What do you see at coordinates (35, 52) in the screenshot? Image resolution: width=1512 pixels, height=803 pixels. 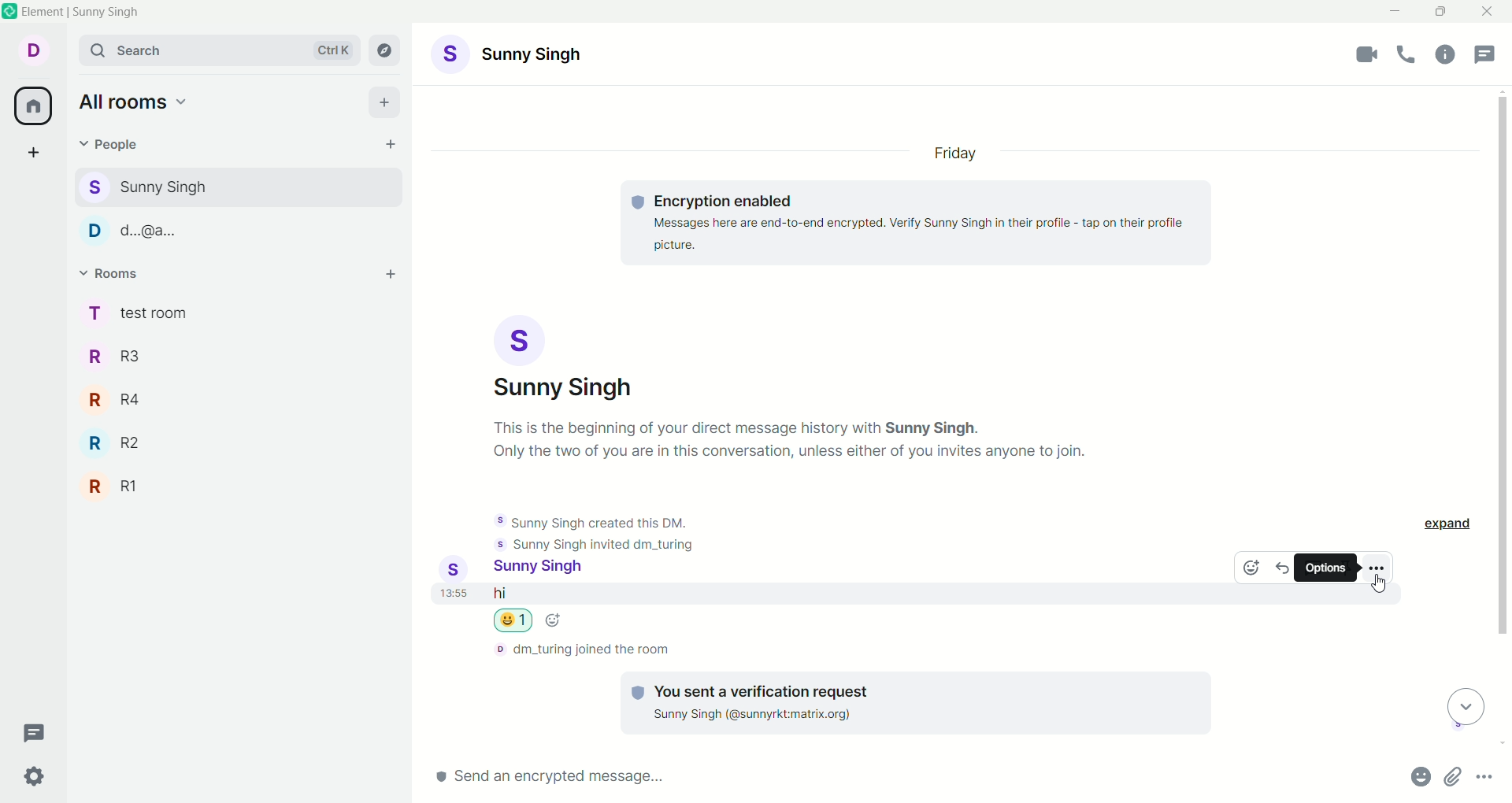 I see `account` at bounding box center [35, 52].